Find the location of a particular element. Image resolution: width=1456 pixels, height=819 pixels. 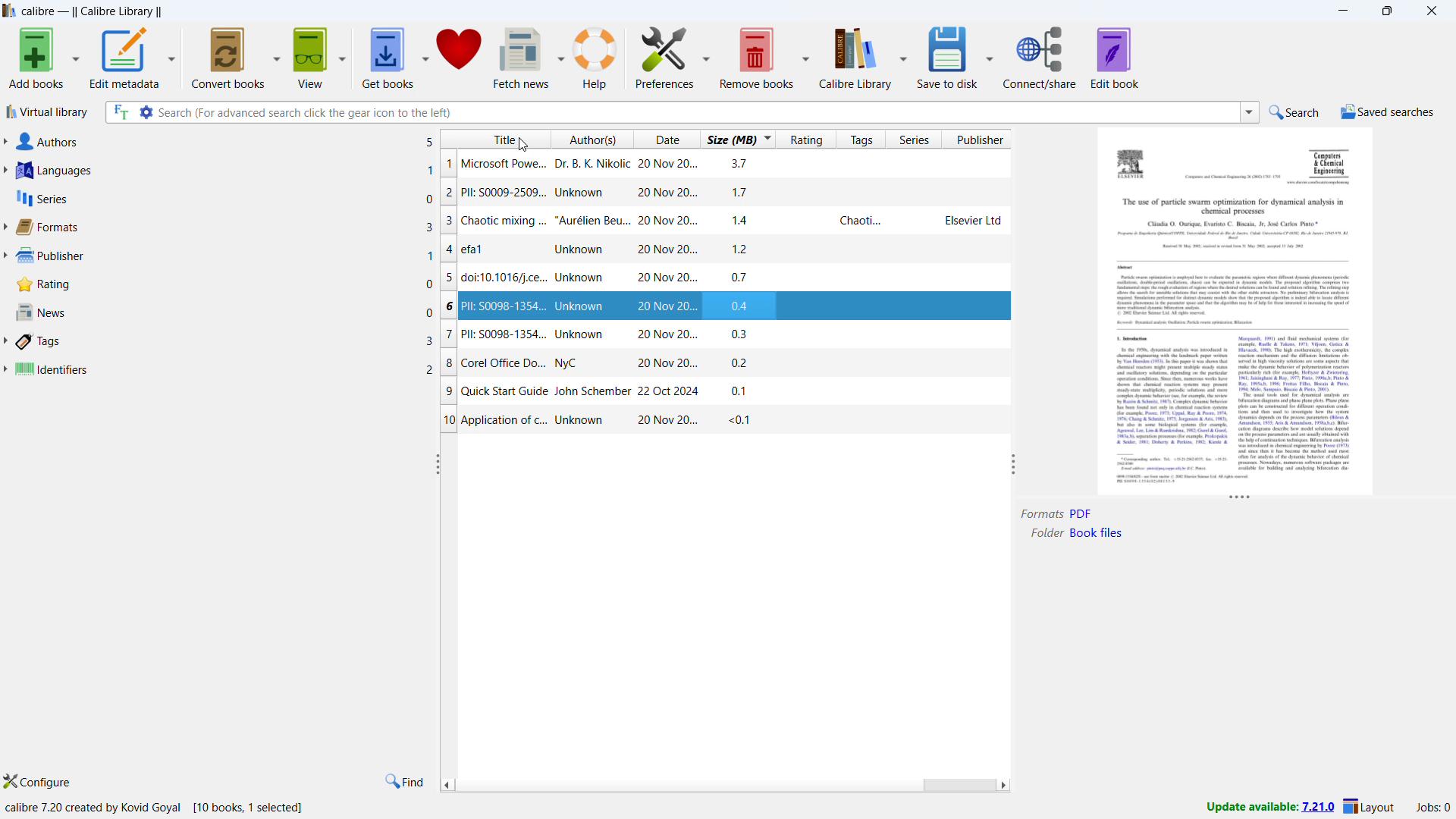

sort by tags is located at coordinates (859, 140).